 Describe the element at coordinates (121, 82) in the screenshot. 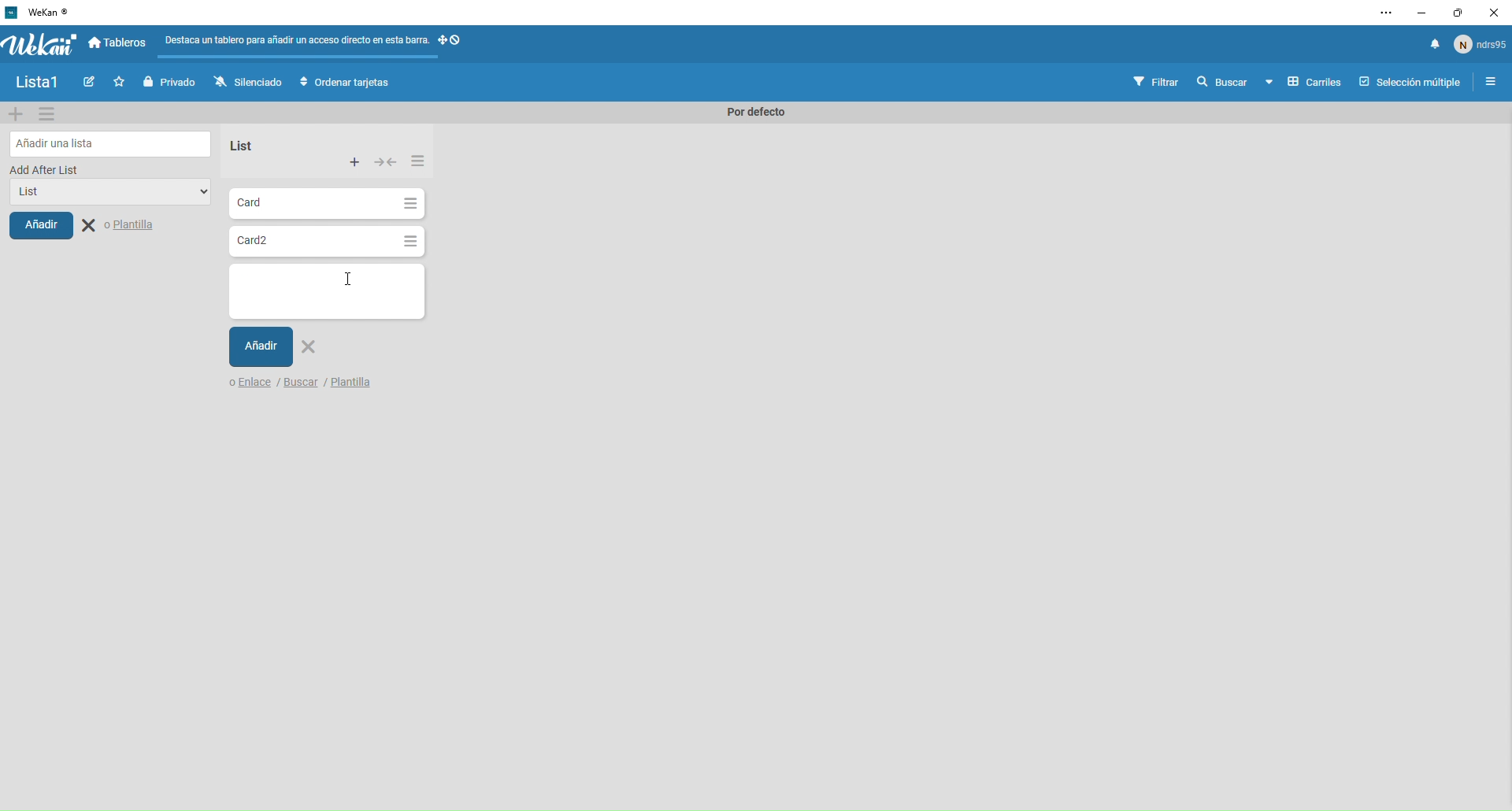

I see `Favourites` at that location.